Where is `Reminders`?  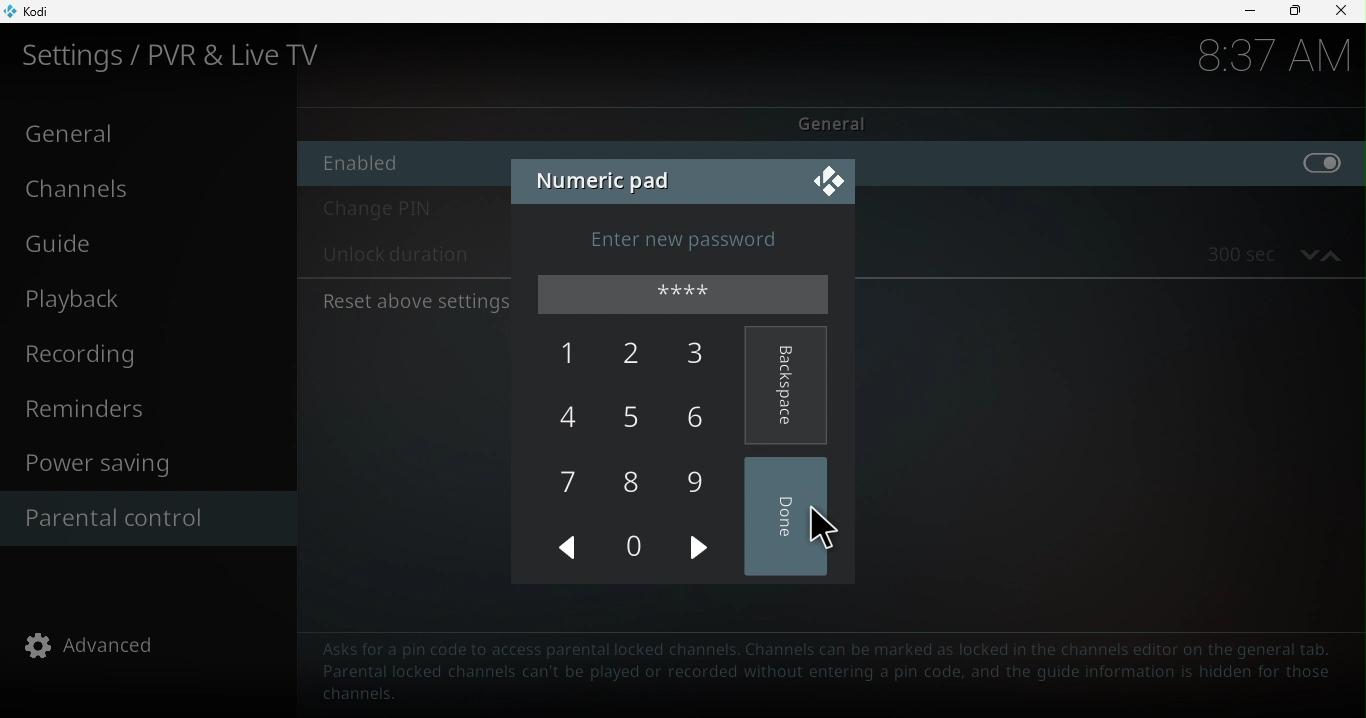
Reminders is located at coordinates (152, 412).